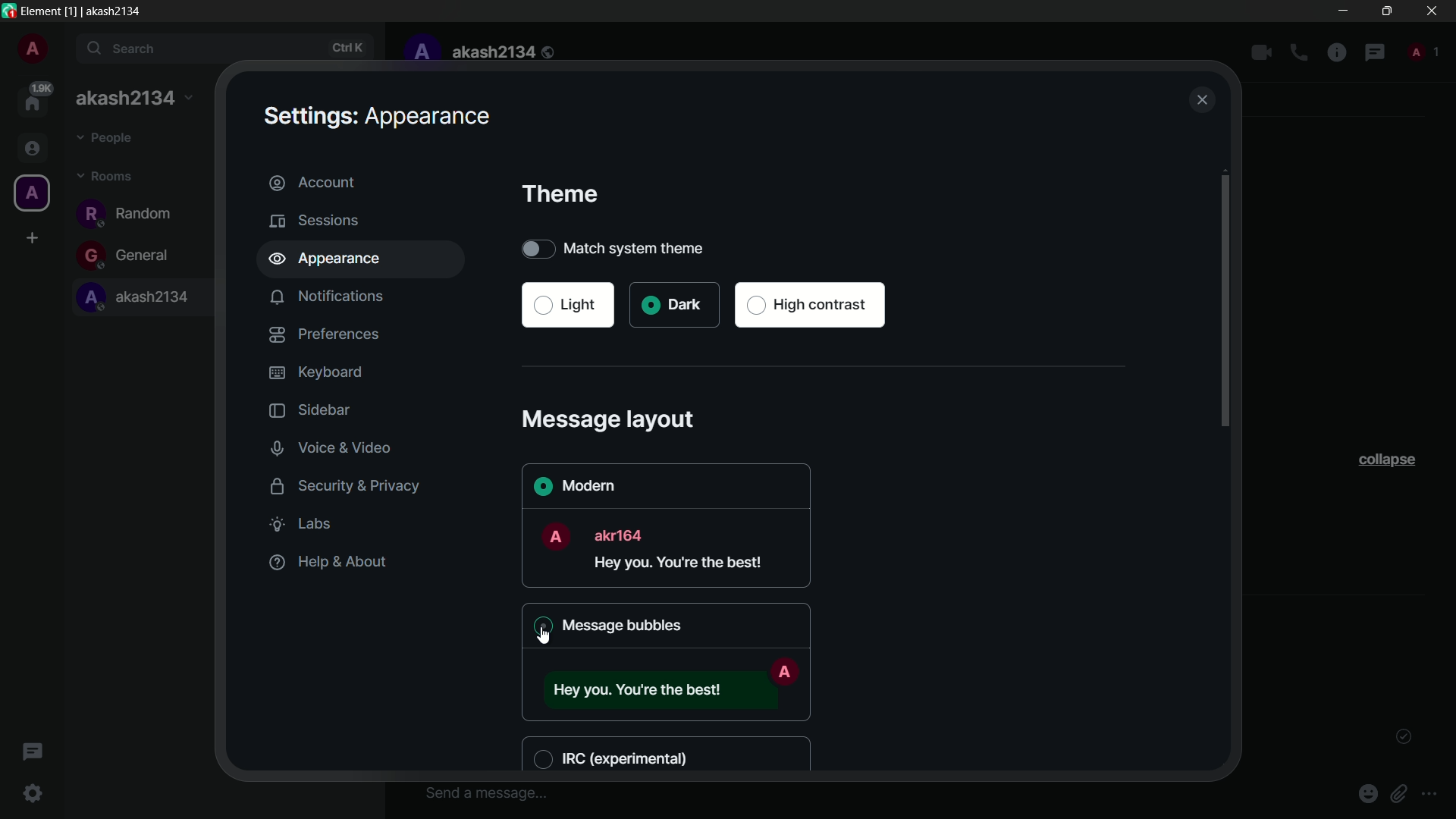 This screenshot has width=1456, height=819. Describe the element at coordinates (784, 671) in the screenshot. I see `Profile icon` at that location.